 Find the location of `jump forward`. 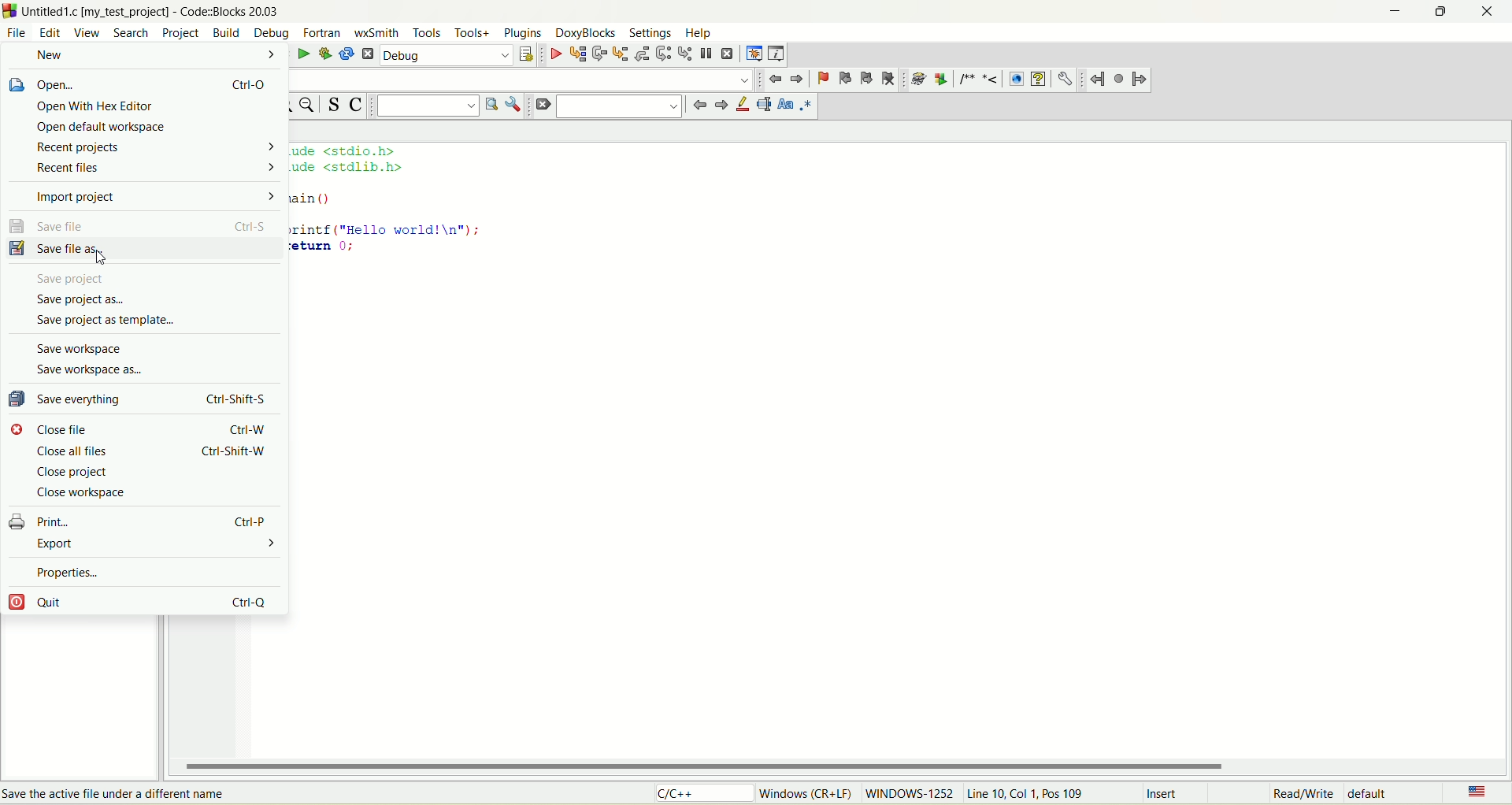

jump forward is located at coordinates (719, 106).